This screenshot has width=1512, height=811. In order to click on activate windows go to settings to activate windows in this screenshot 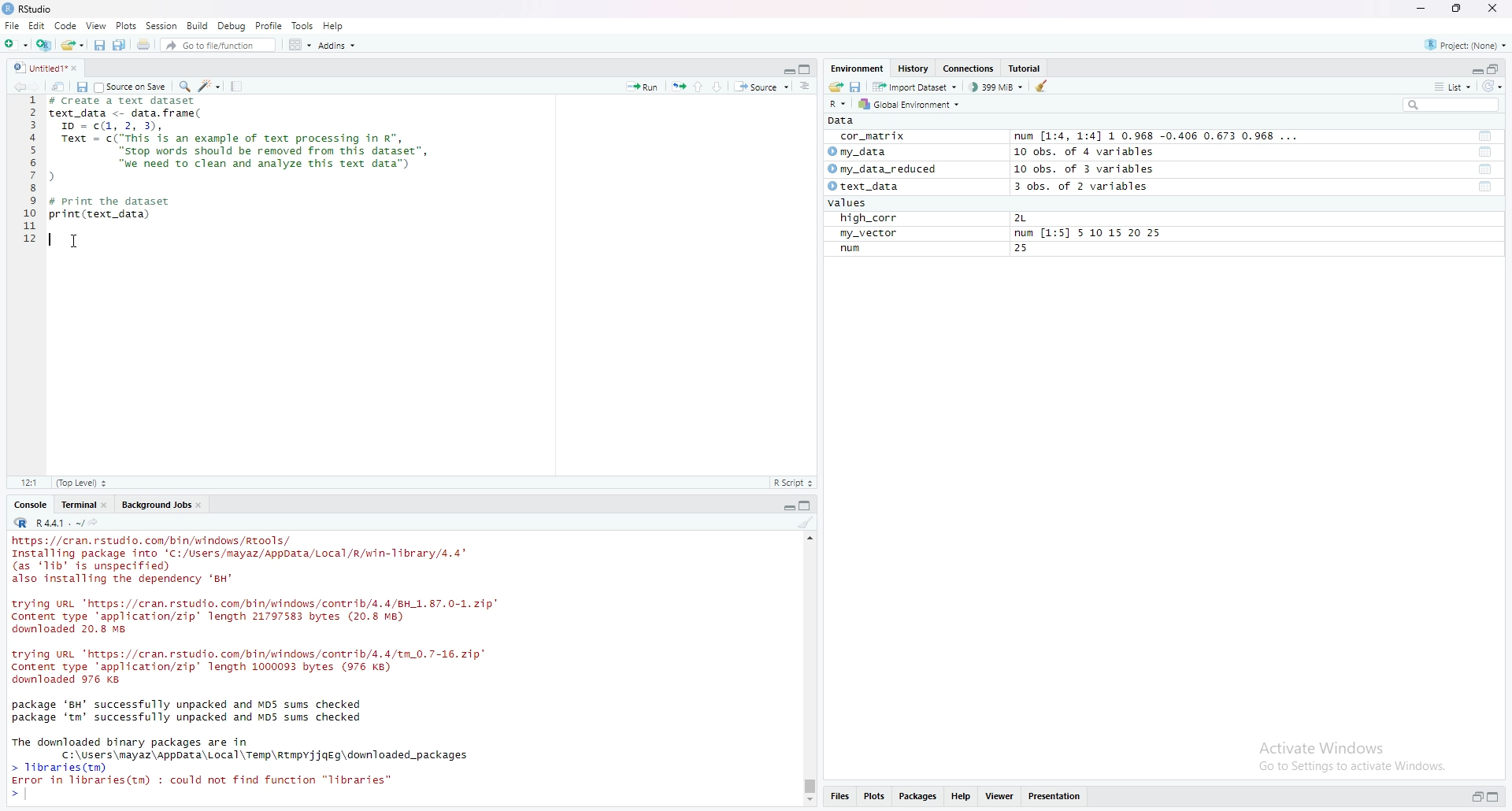, I will do `click(1345, 755)`.